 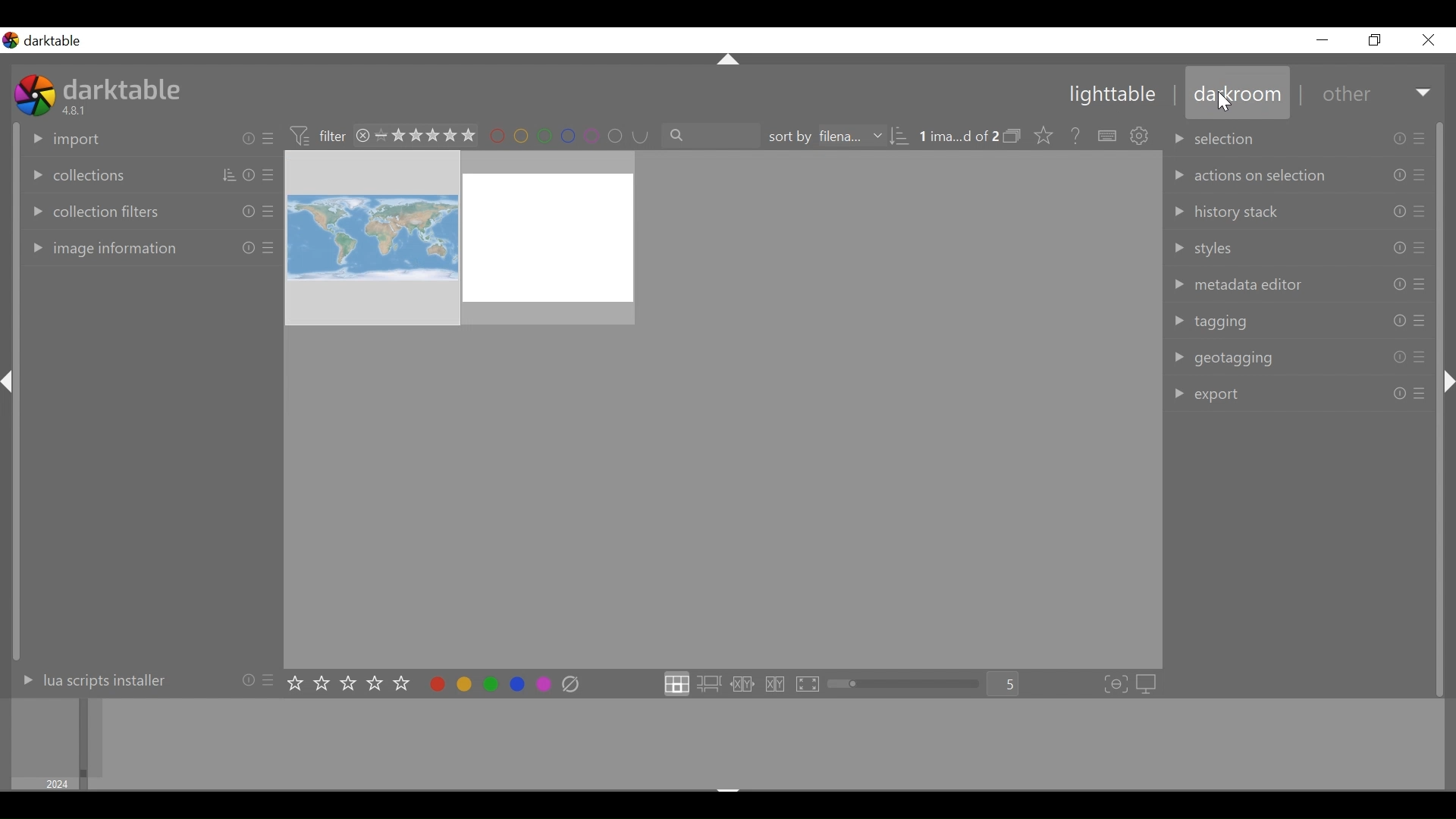 I want to click on search, so click(x=711, y=134).